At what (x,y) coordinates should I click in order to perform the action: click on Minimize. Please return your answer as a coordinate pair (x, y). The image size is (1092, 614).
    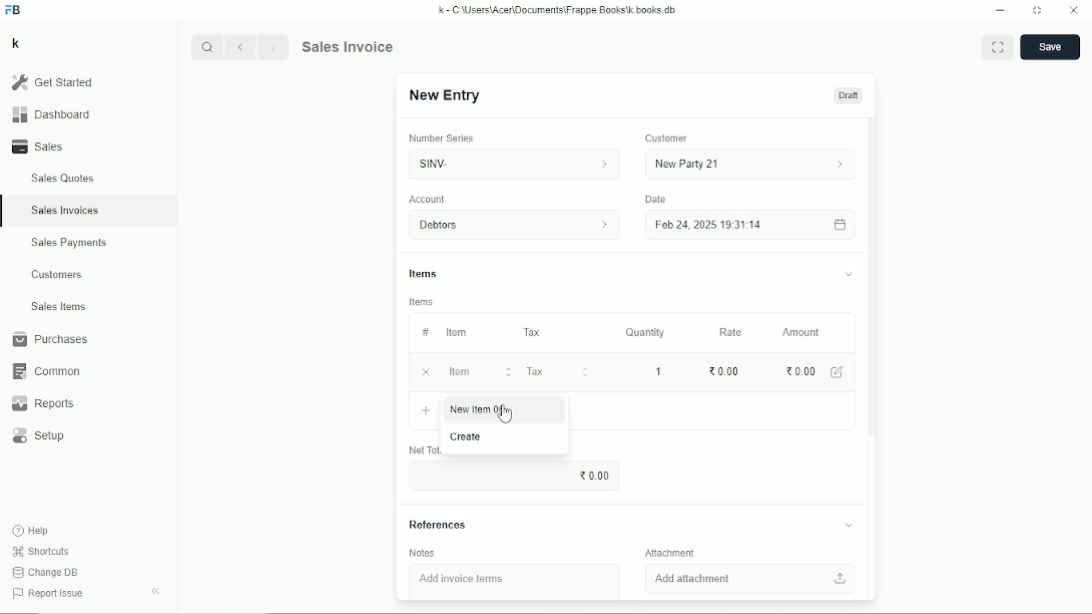
    Looking at the image, I should click on (1000, 11).